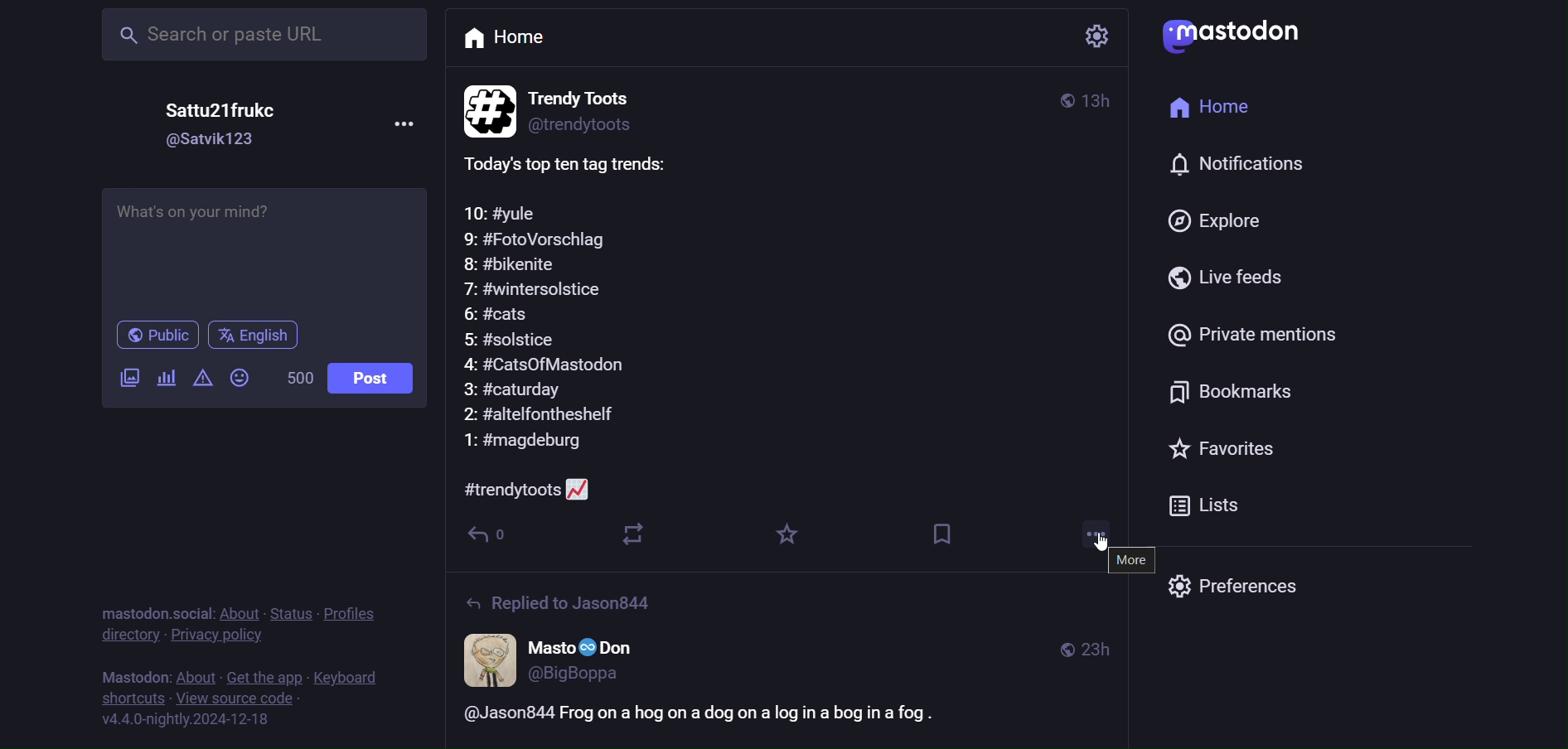  Describe the element at coordinates (492, 533) in the screenshot. I see `reply` at that location.